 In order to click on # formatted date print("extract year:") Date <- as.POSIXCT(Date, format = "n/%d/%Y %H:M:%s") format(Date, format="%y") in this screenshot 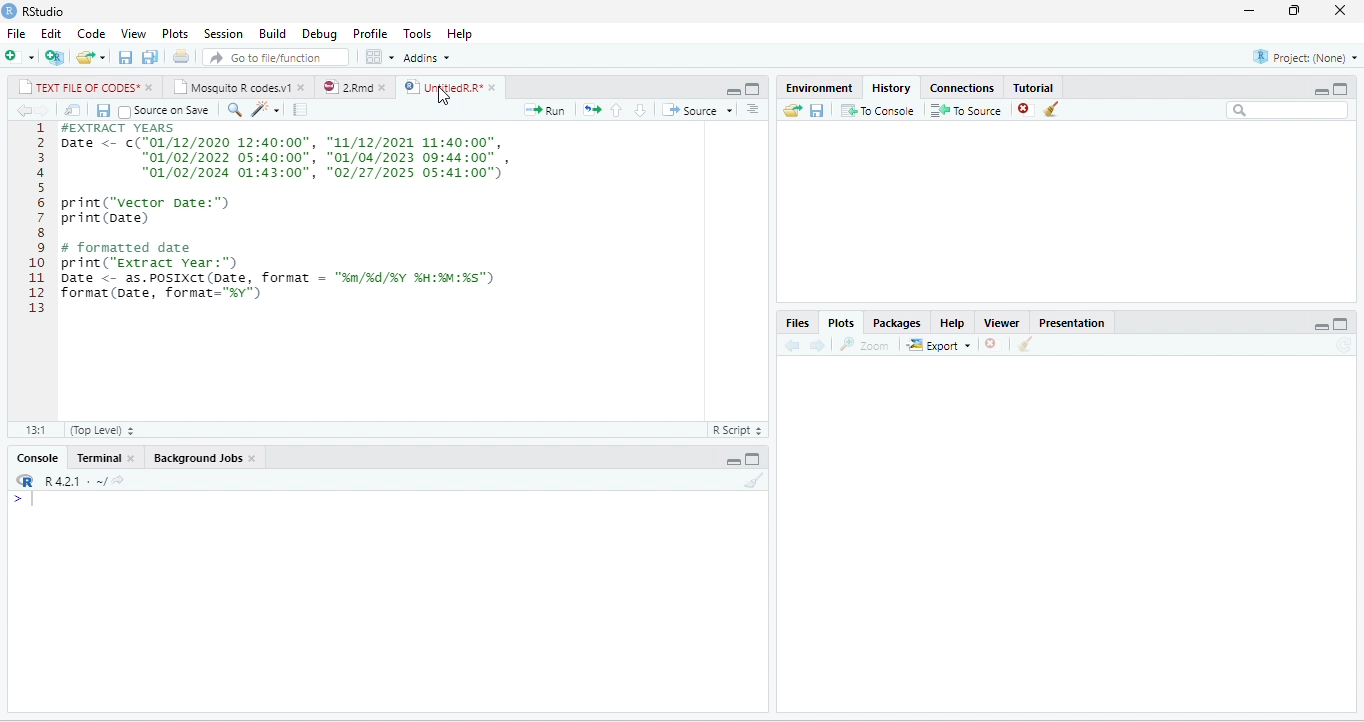, I will do `click(277, 270)`.